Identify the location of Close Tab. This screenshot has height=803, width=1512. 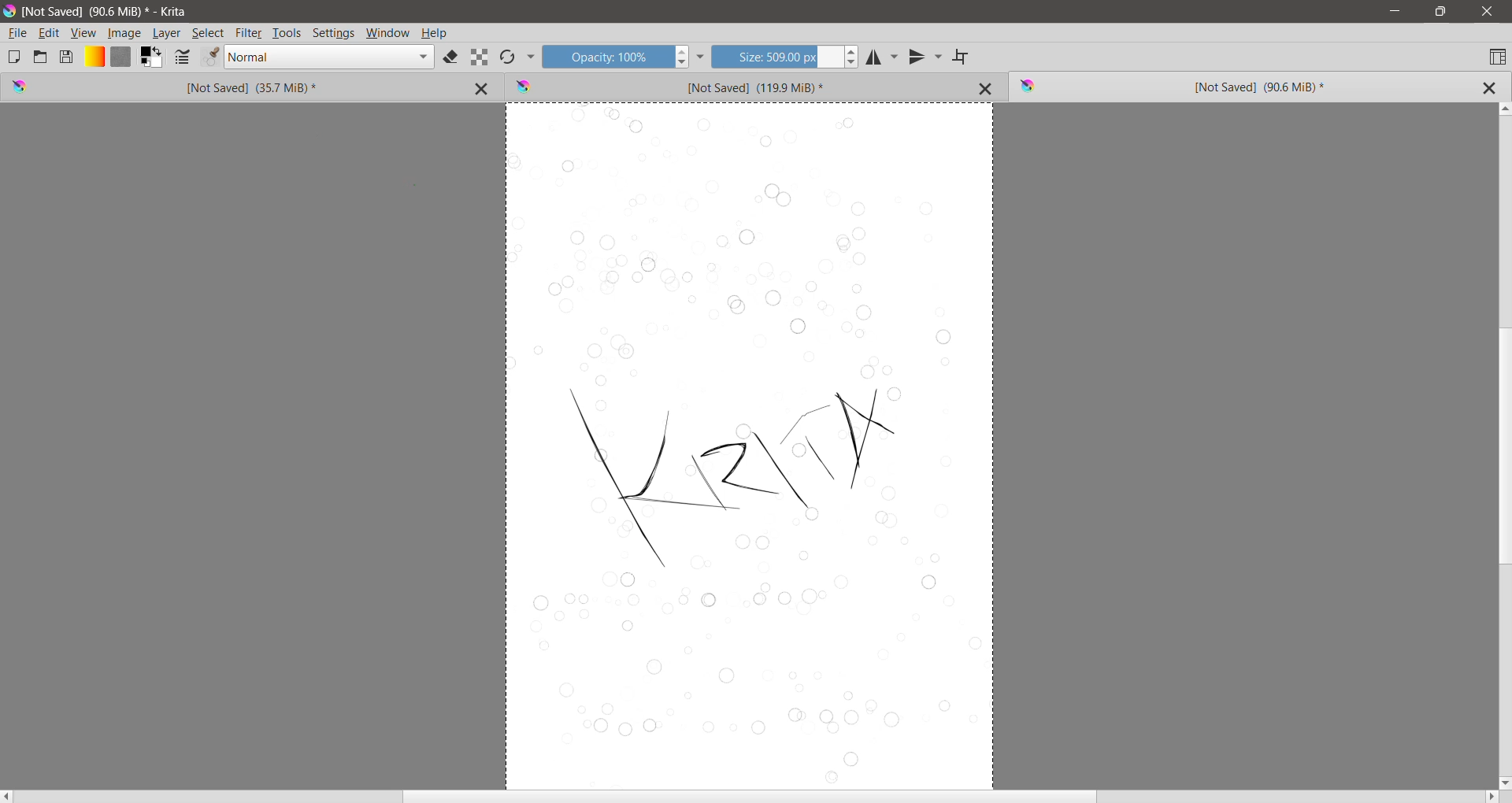
(1488, 88).